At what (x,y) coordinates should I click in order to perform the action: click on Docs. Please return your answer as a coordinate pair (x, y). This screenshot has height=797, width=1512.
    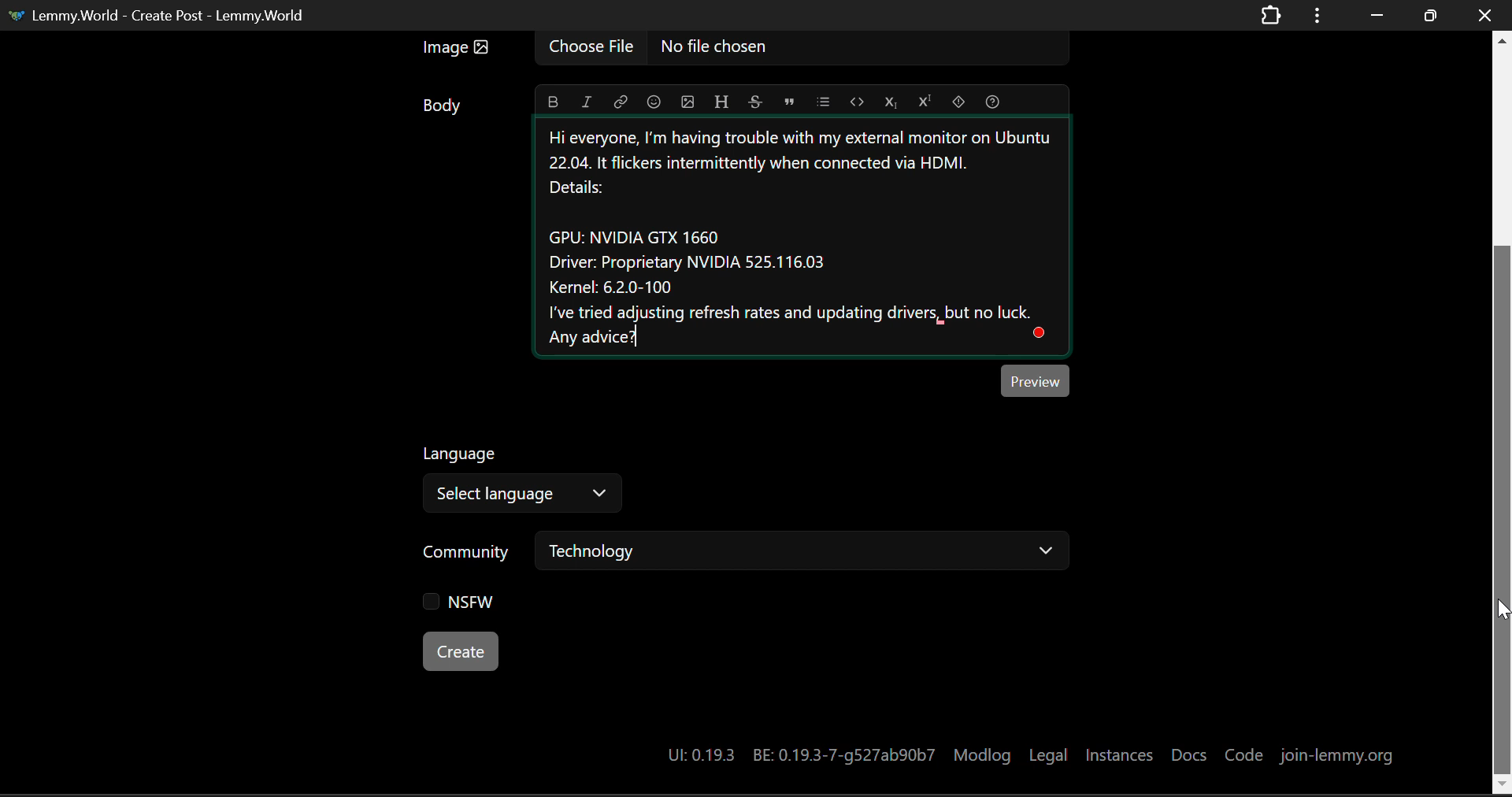
    Looking at the image, I should click on (1190, 752).